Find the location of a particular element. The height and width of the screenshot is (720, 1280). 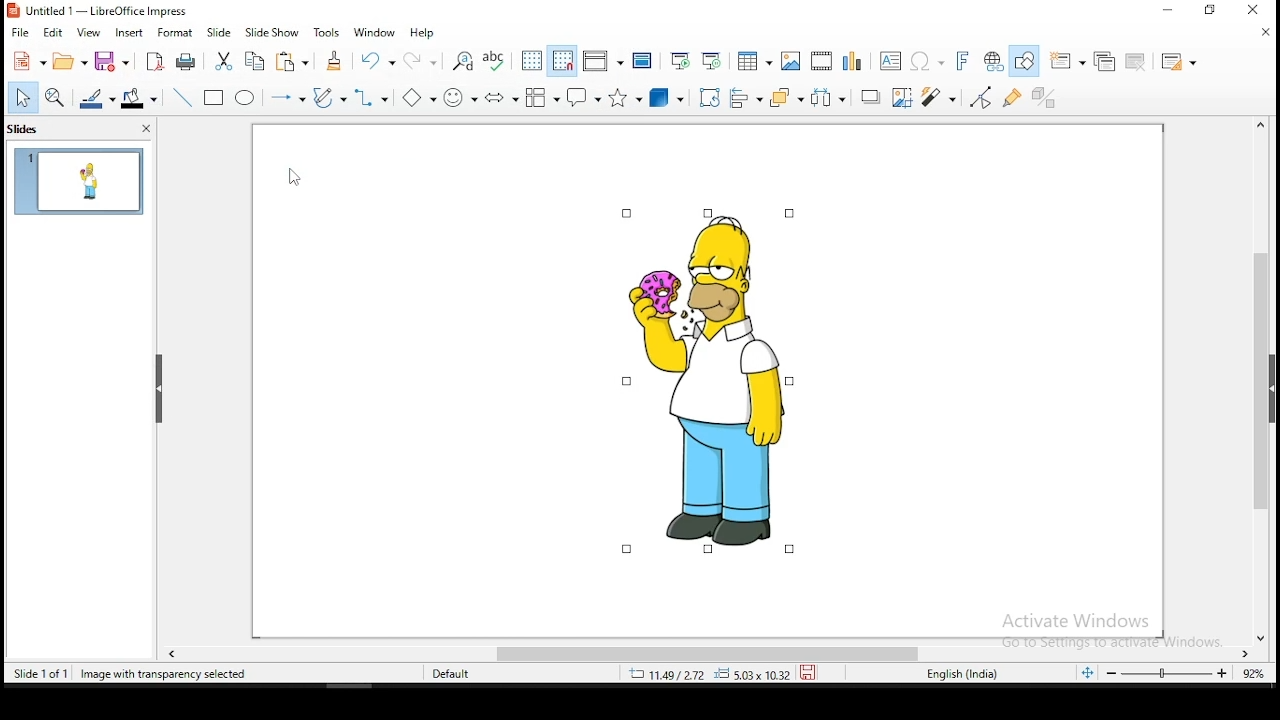

line color is located at coordinates (98, 98).